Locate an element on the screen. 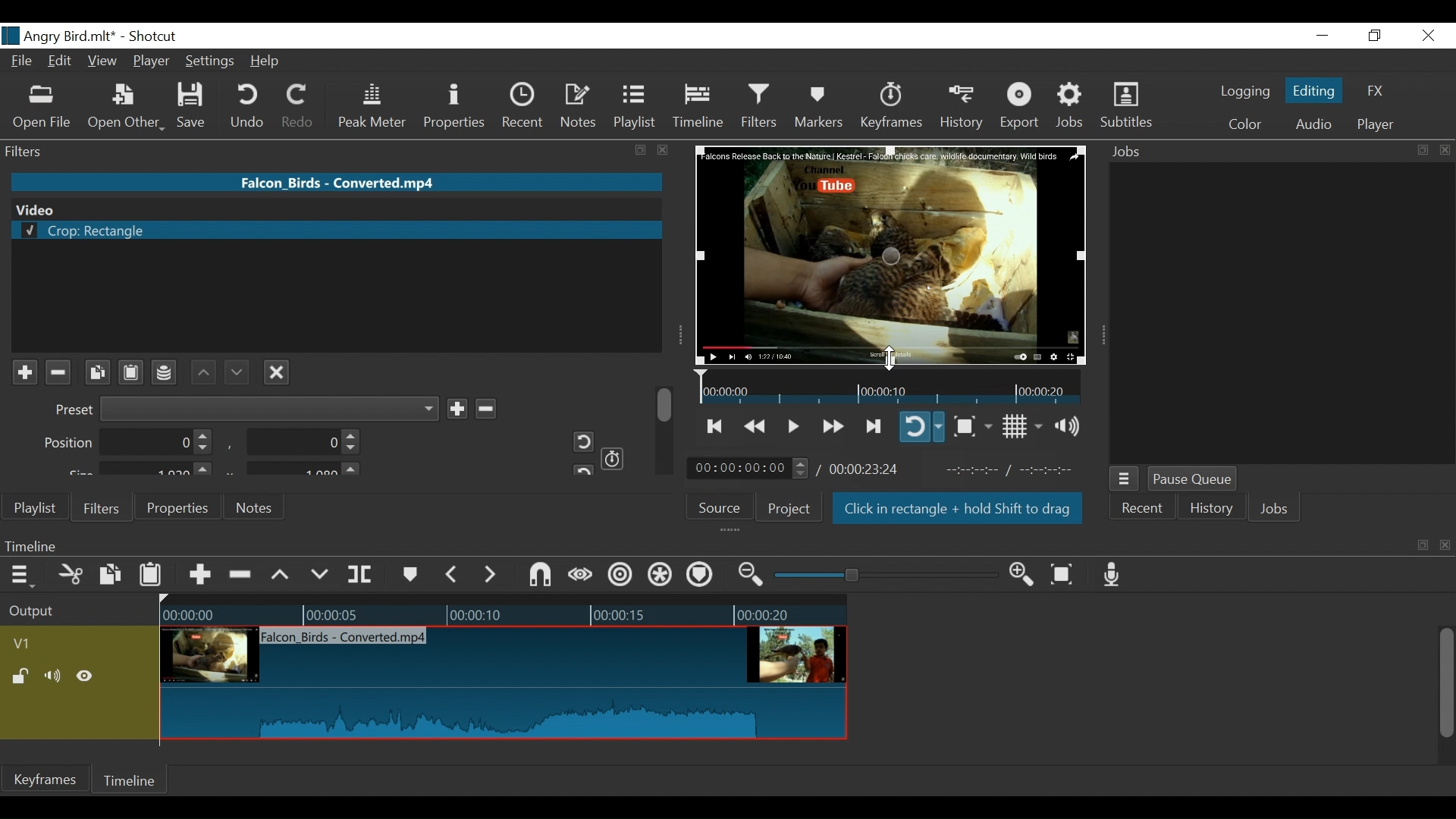 The width and height of the screenshot is (1456, 819). Video track clip is located at coordinates (504, 684).